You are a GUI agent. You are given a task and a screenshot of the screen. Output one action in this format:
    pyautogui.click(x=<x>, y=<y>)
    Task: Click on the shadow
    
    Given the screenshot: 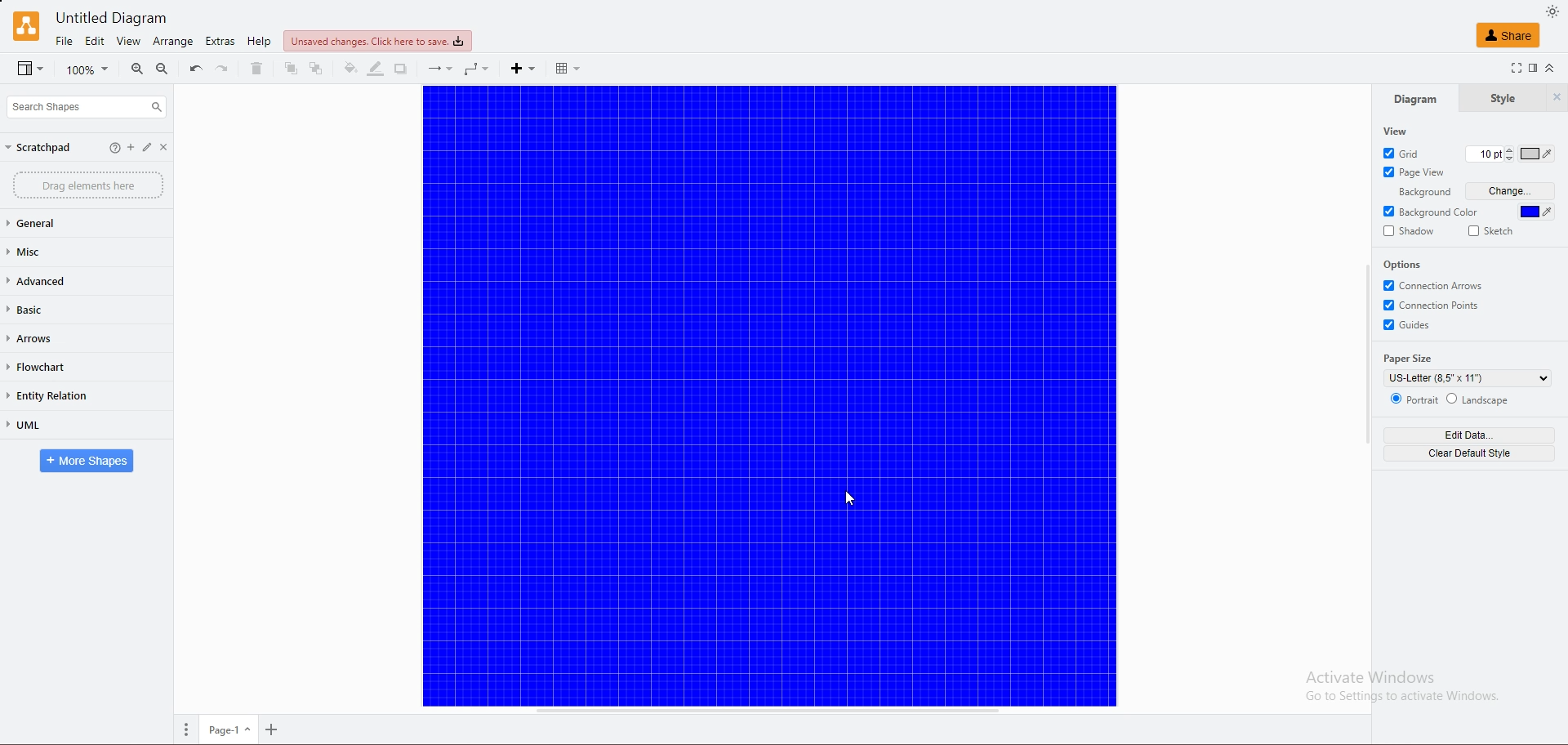 What is the action you would take?
    pyautogui.click(x=403, y=69)
    